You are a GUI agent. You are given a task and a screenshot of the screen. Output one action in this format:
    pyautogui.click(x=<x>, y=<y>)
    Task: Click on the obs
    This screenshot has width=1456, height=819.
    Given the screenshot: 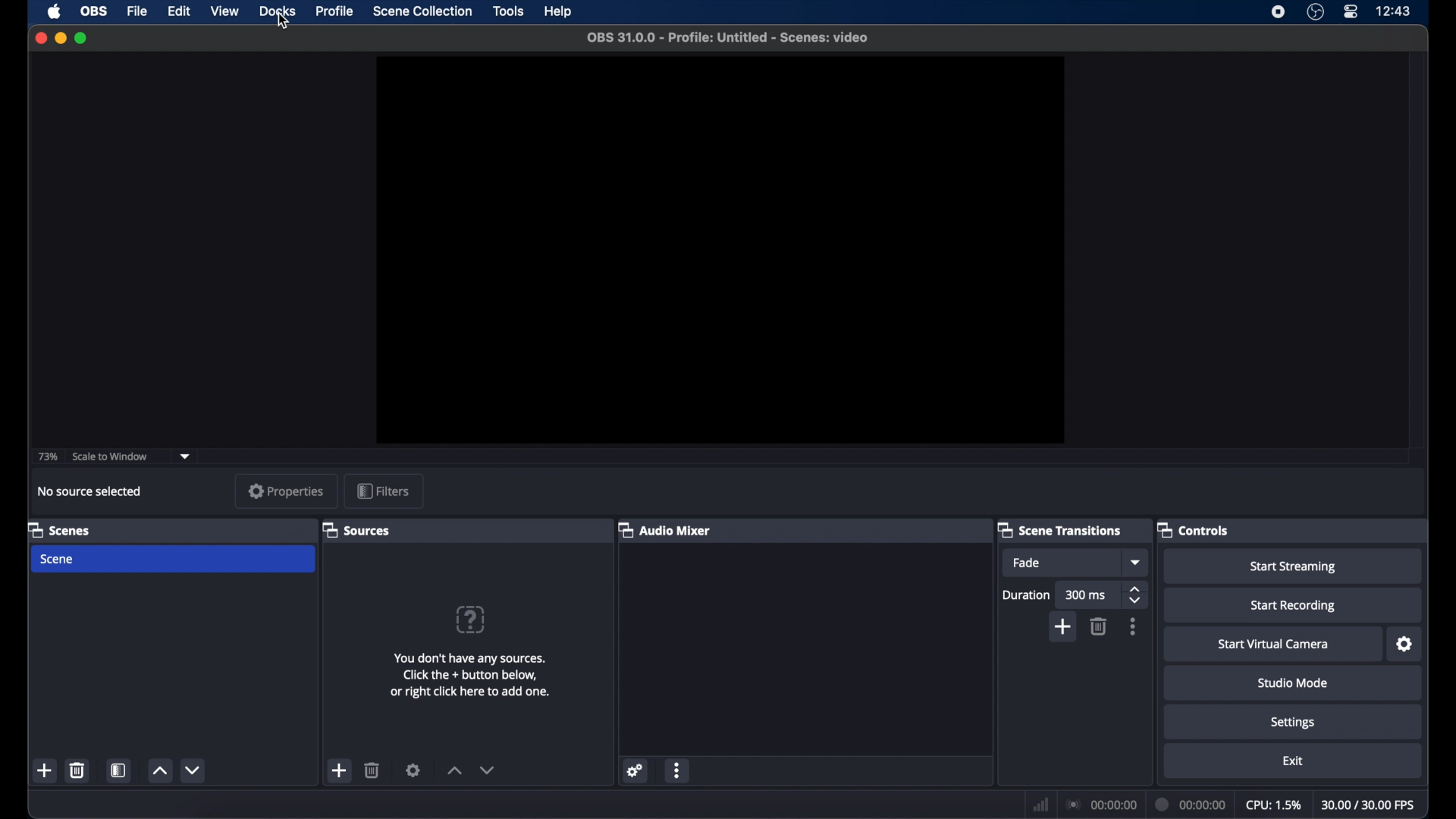 What is the action you would take?
    pyautogui.click(x=93, y=11)
    